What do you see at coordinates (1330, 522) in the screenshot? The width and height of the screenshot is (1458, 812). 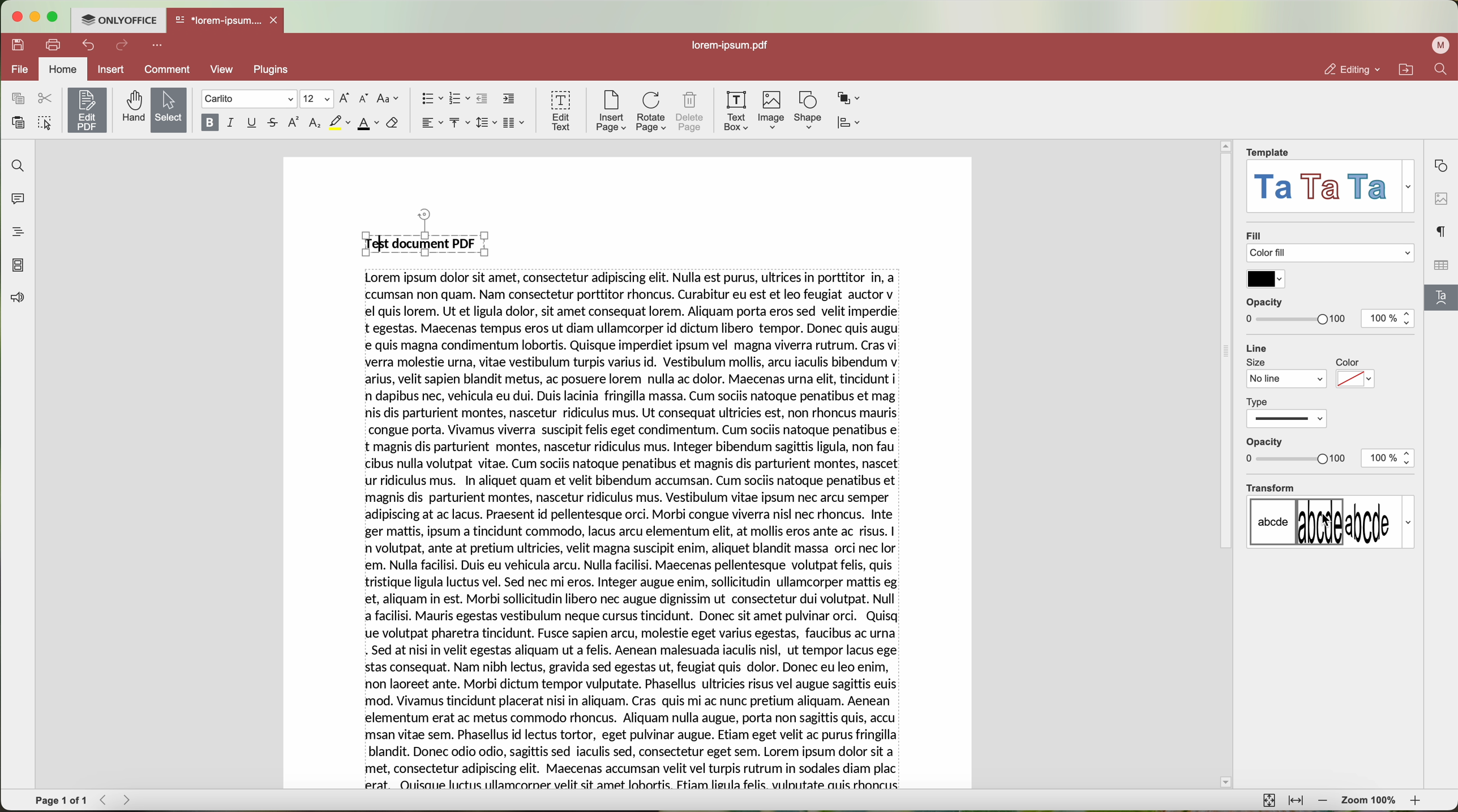 I see `letters` at bounding box center [1330, 522].